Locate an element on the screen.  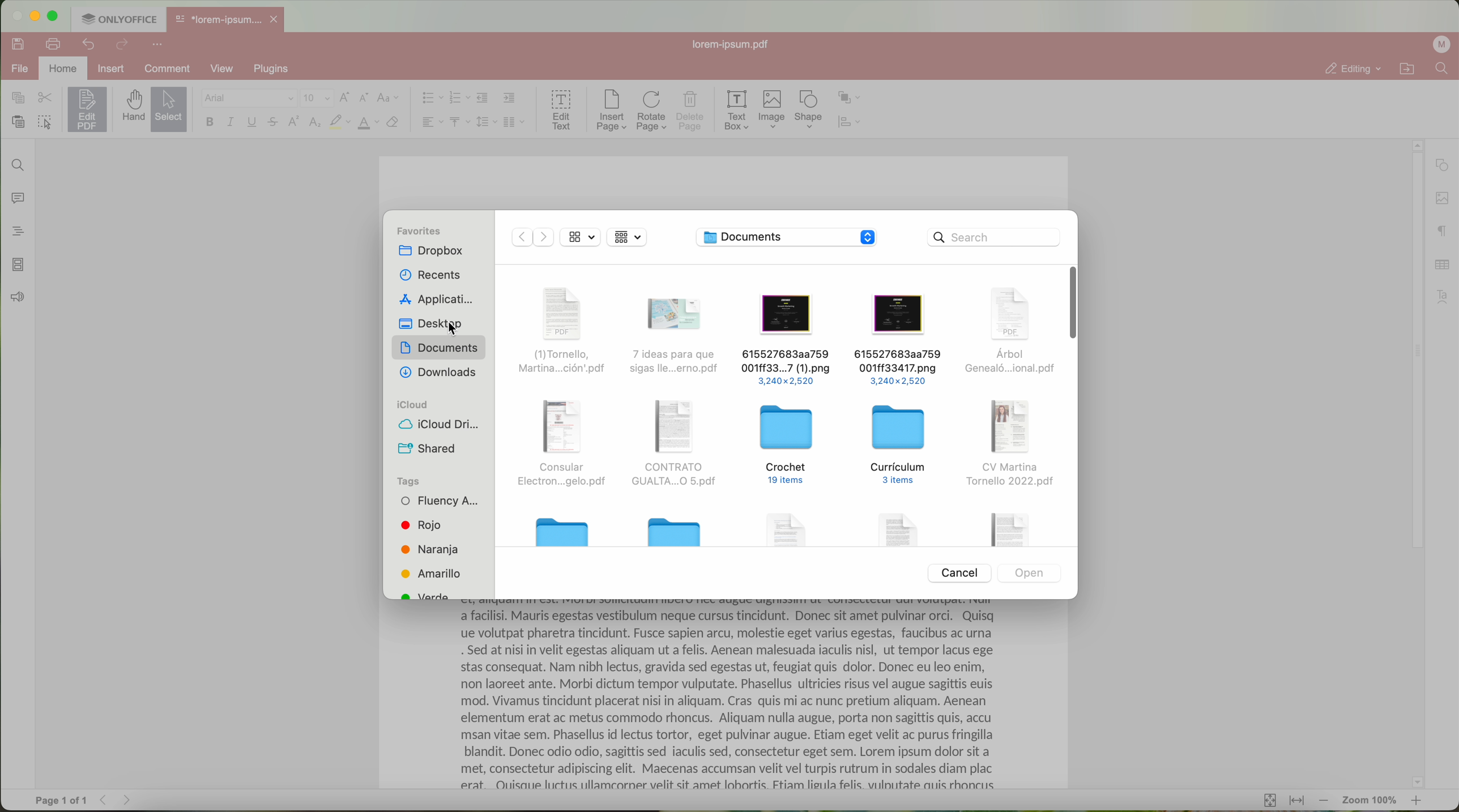
highlight color is located at coordinates (339, 123).